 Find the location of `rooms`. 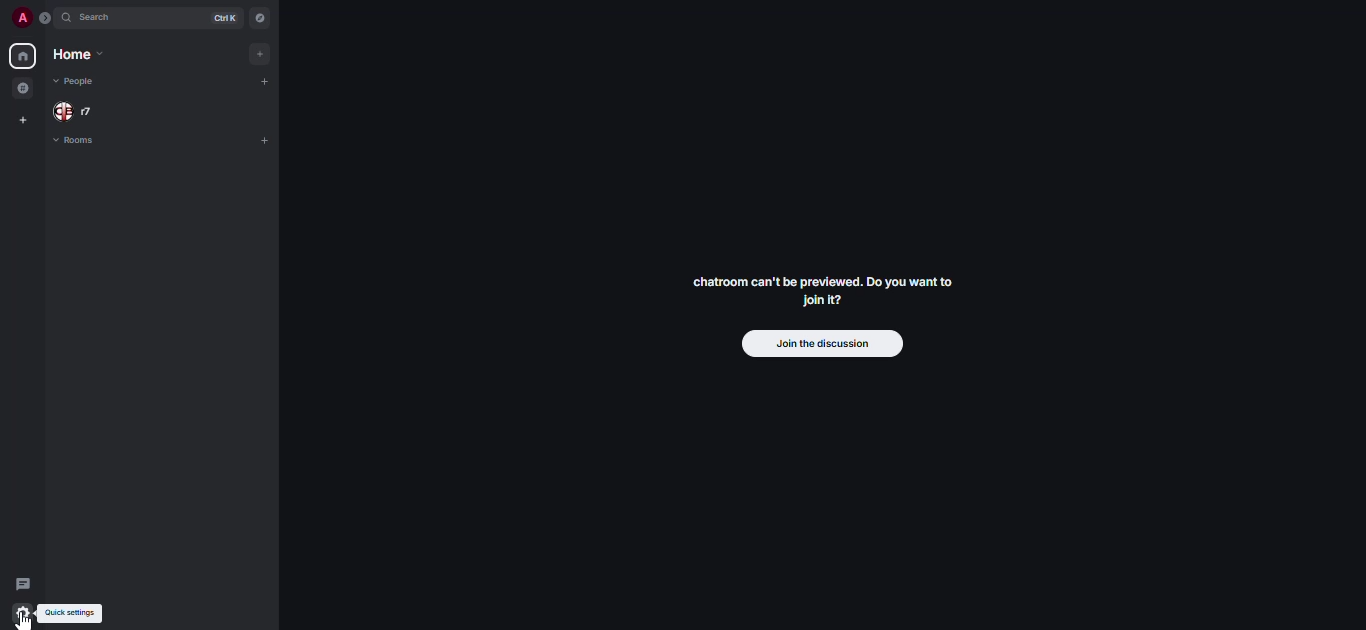

rooms is located at coordinates (74, 141).